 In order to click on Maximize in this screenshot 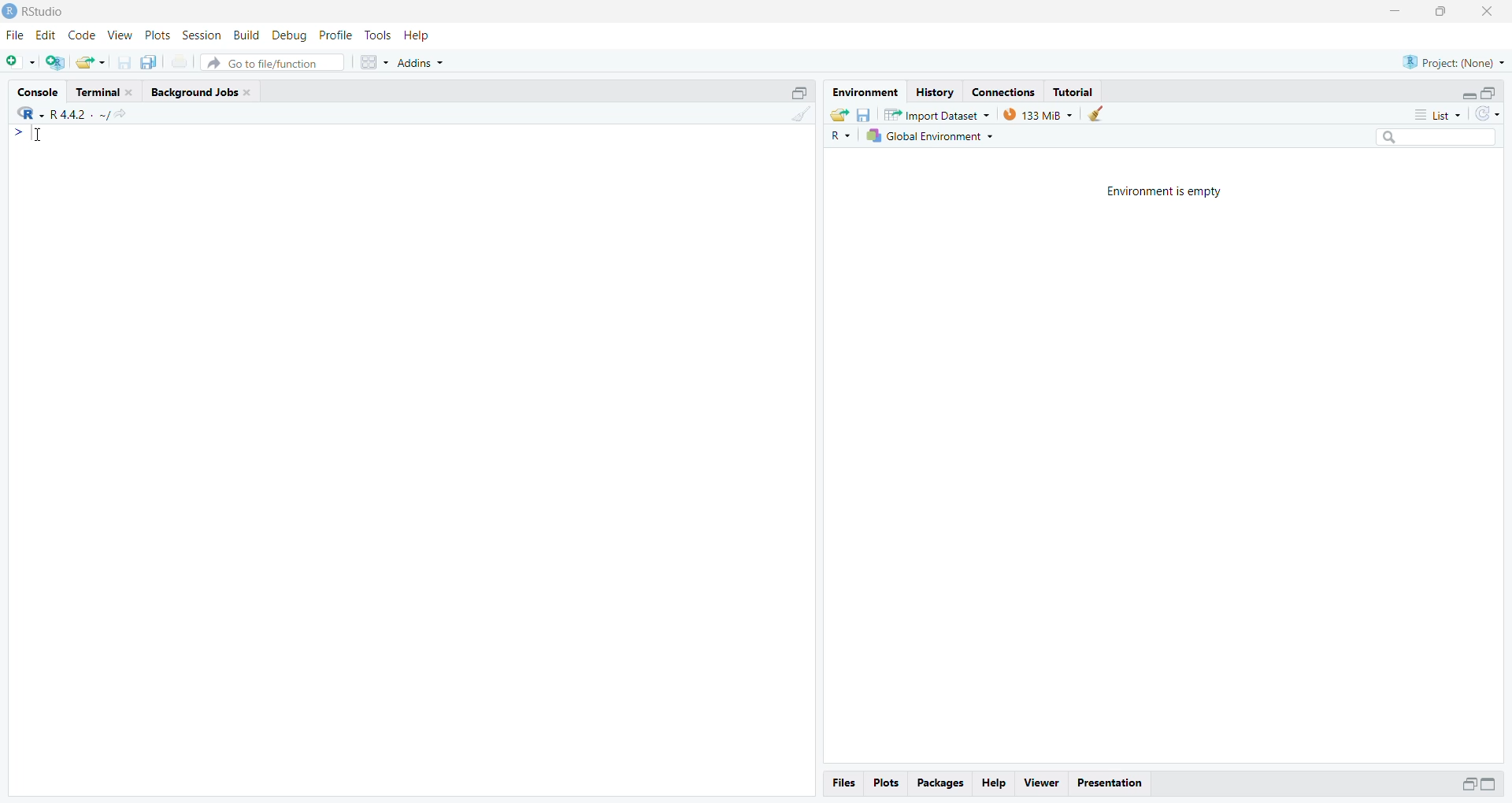, I will do `click(1489, 94)`.